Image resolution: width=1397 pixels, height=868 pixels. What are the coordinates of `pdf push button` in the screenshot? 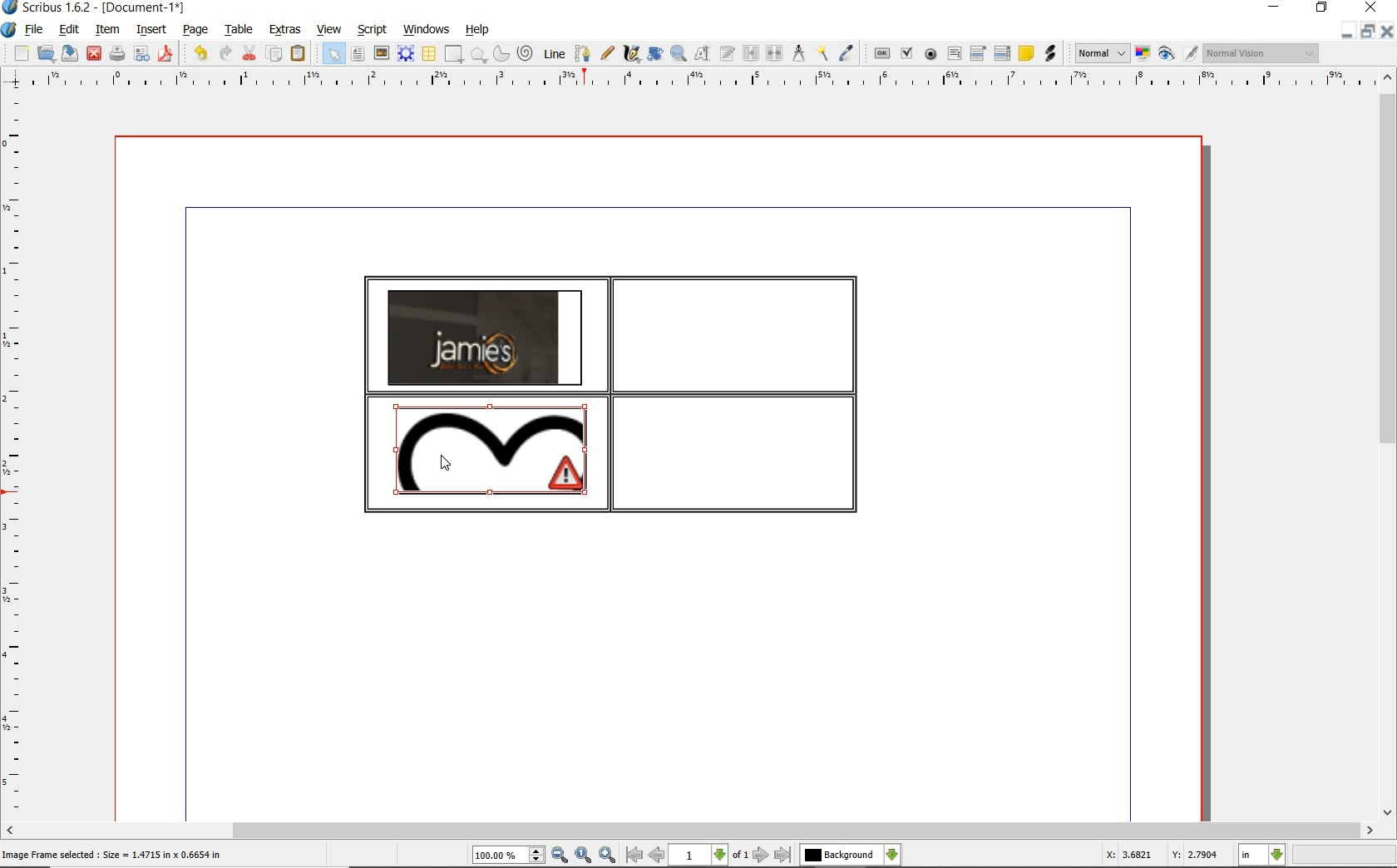 It's located at (882, 52).